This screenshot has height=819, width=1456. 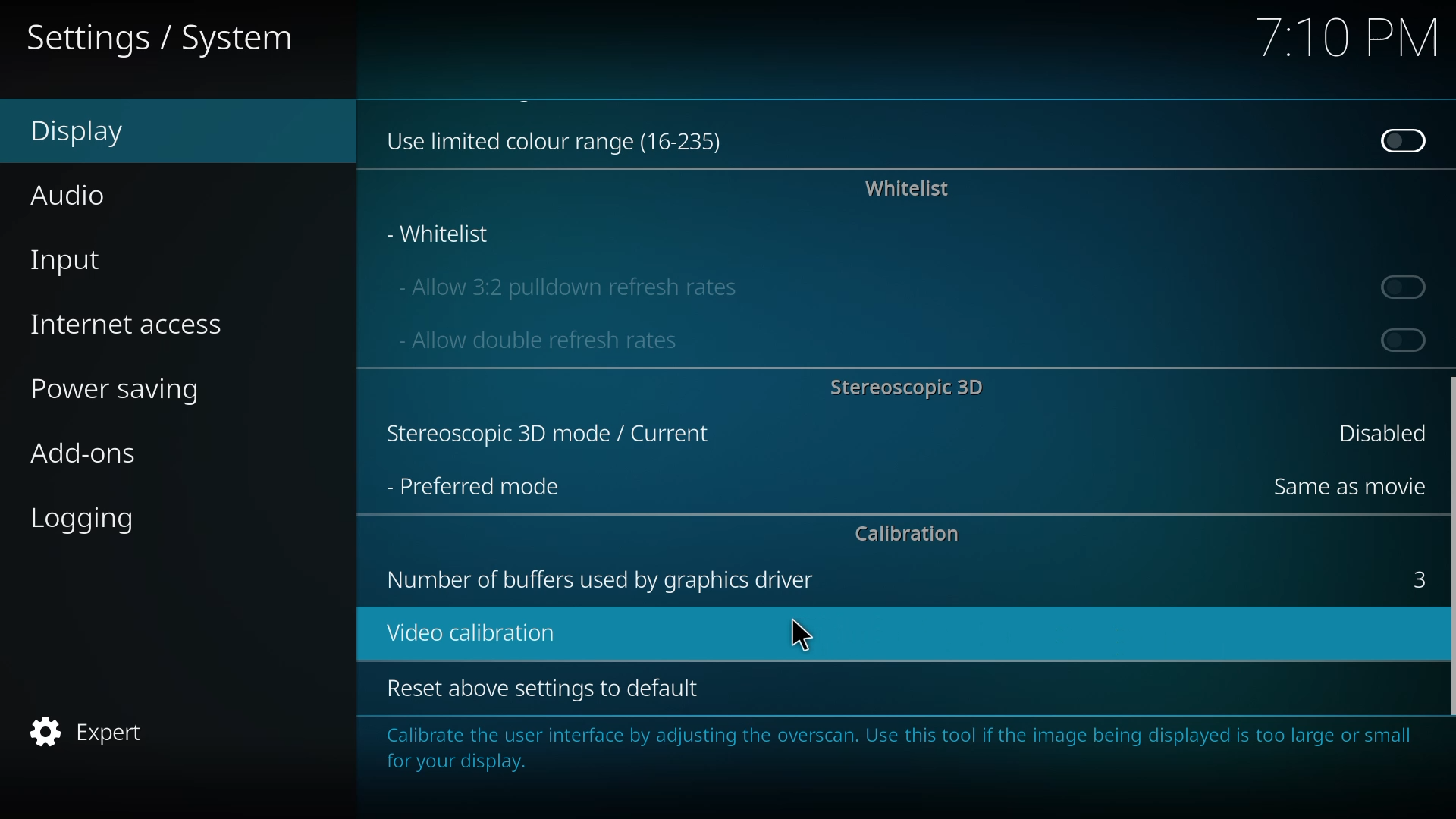 What do you see at coordinates (74, 259) in the screenshot?
I see `input` at bounding box center [74, 259].